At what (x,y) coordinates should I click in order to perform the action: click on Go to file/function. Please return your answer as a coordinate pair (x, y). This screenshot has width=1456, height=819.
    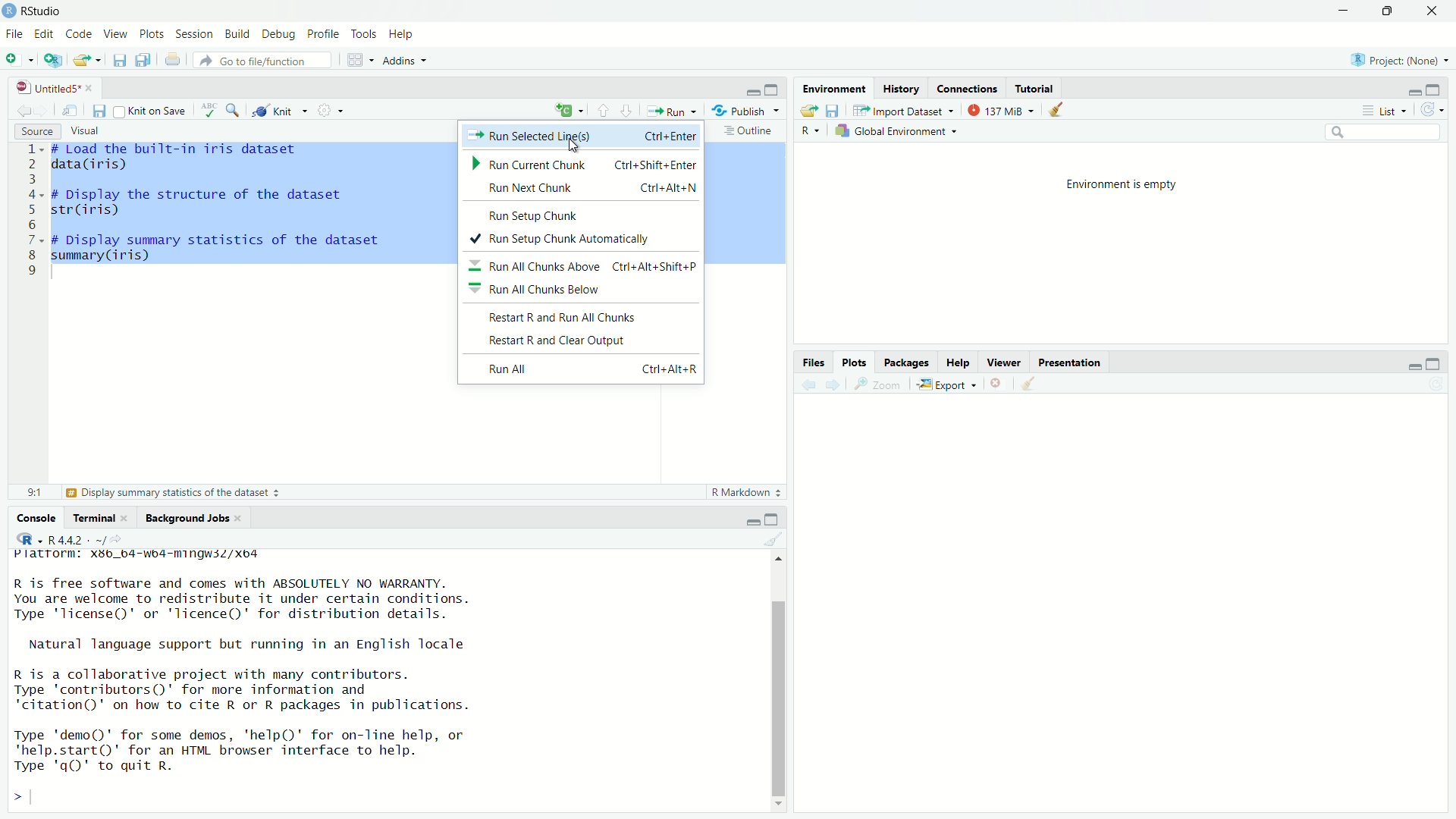
    Looking at the image, I should click on (261, 61).